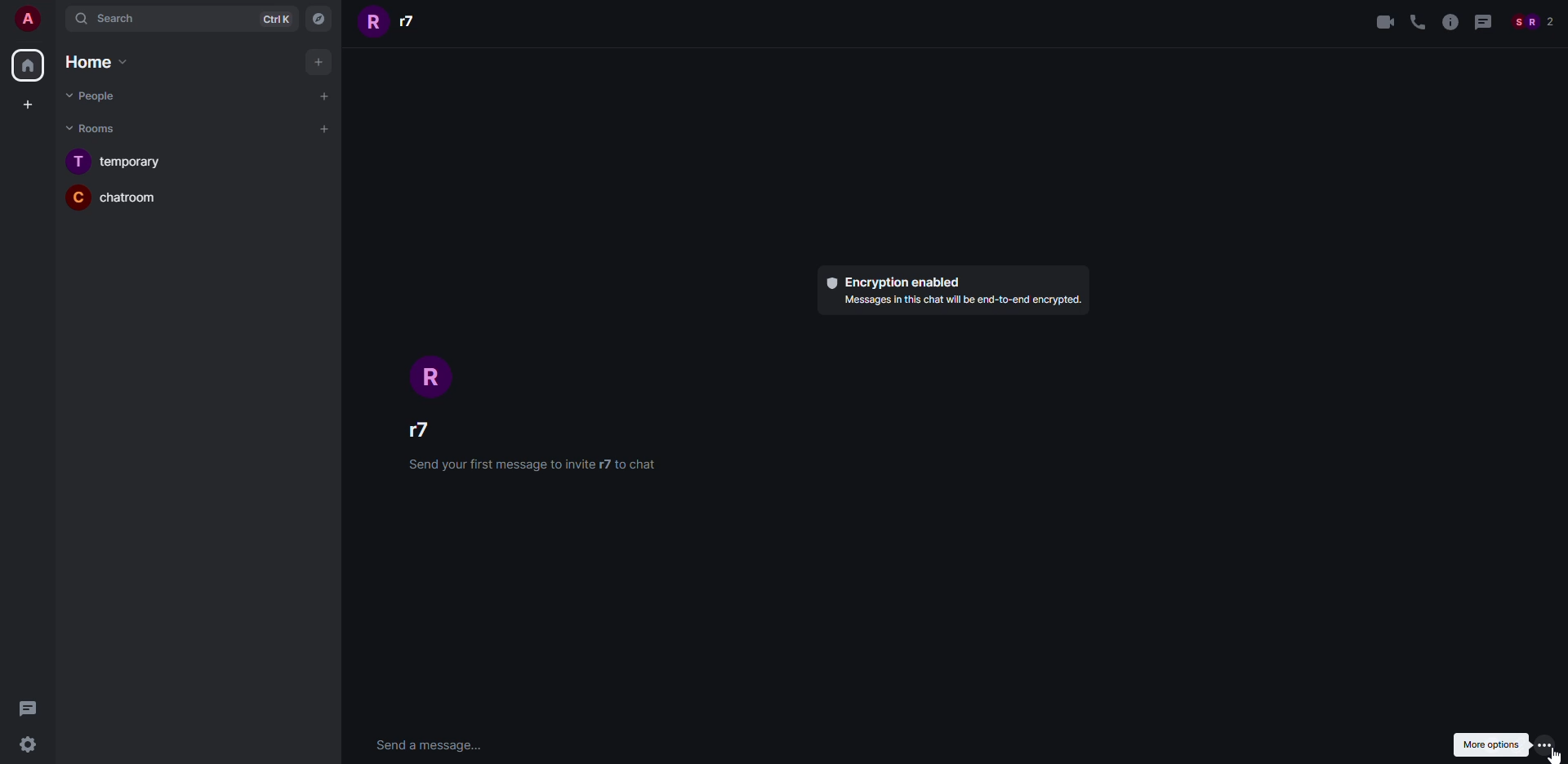 The image size is (1568, 764). Describe the element at coordinates (114, 196) in the screenshot. I see `Chatroom` at that location.